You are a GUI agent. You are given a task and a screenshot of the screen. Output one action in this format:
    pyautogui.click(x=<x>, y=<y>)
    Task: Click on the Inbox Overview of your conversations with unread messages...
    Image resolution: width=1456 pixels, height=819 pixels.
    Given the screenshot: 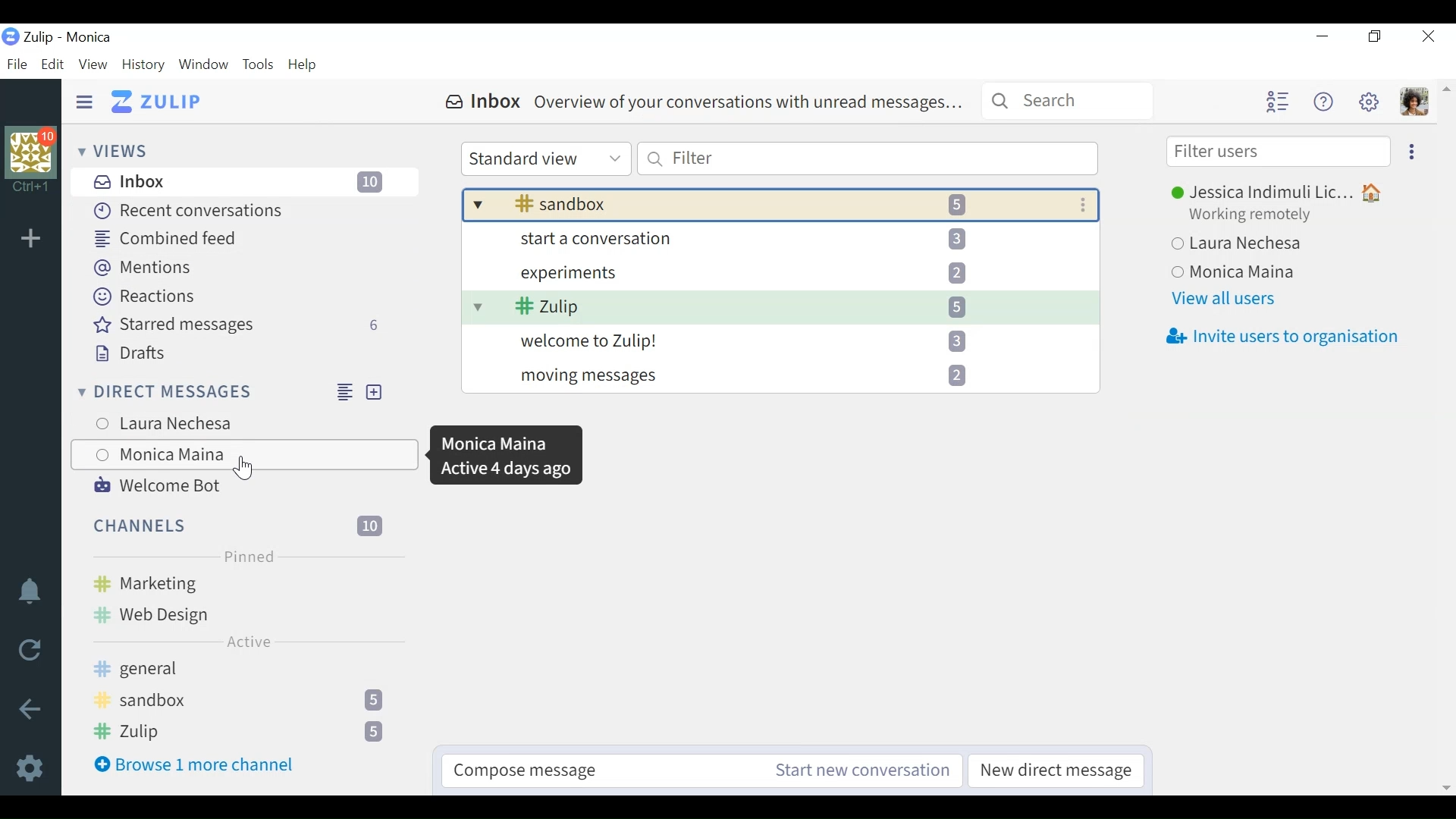 What is the action you would take?
    pyautogui.click(x=708, y=101)
    